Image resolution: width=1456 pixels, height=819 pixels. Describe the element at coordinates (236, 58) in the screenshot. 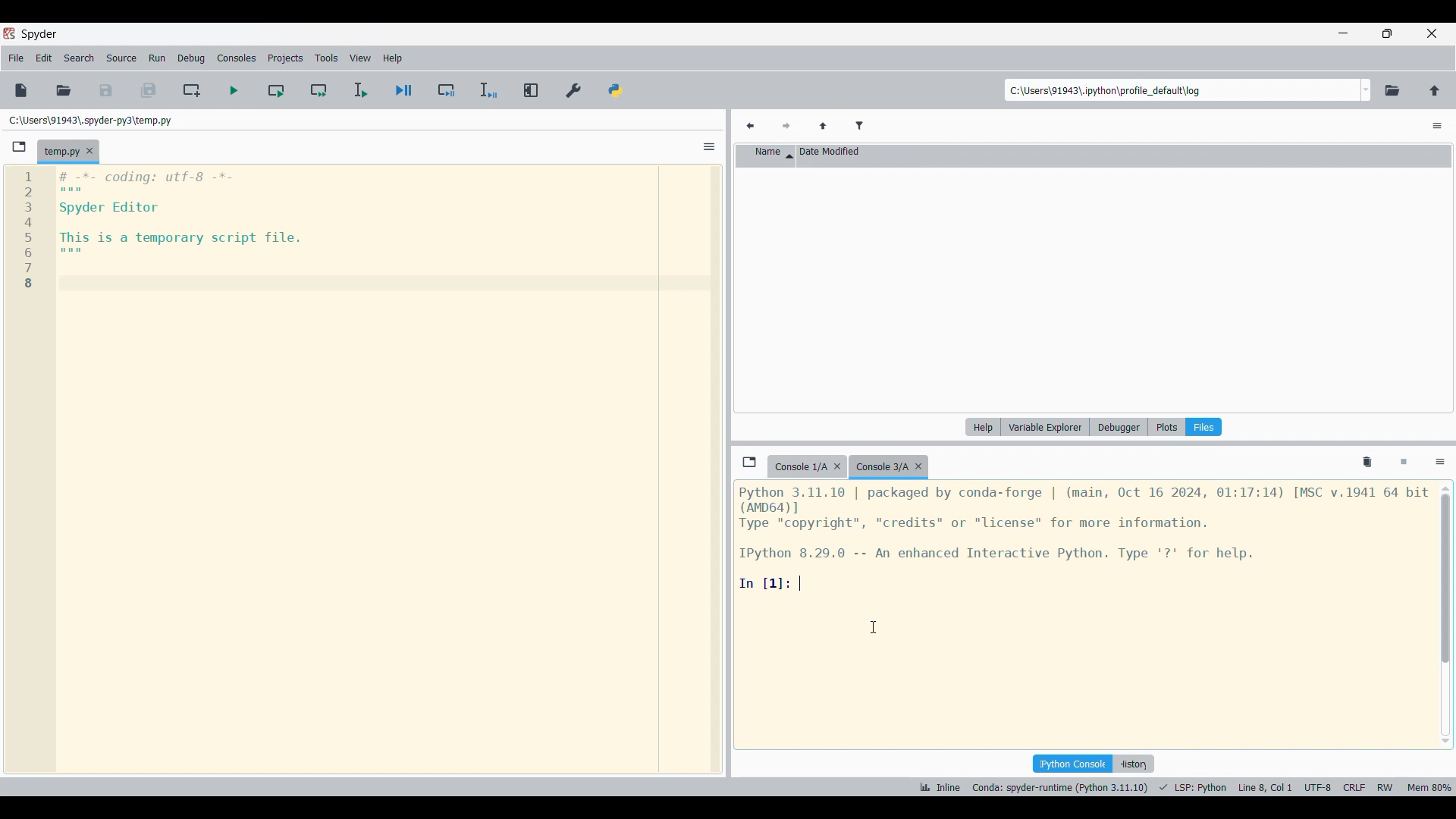

I see `Consoles menu` at that location.